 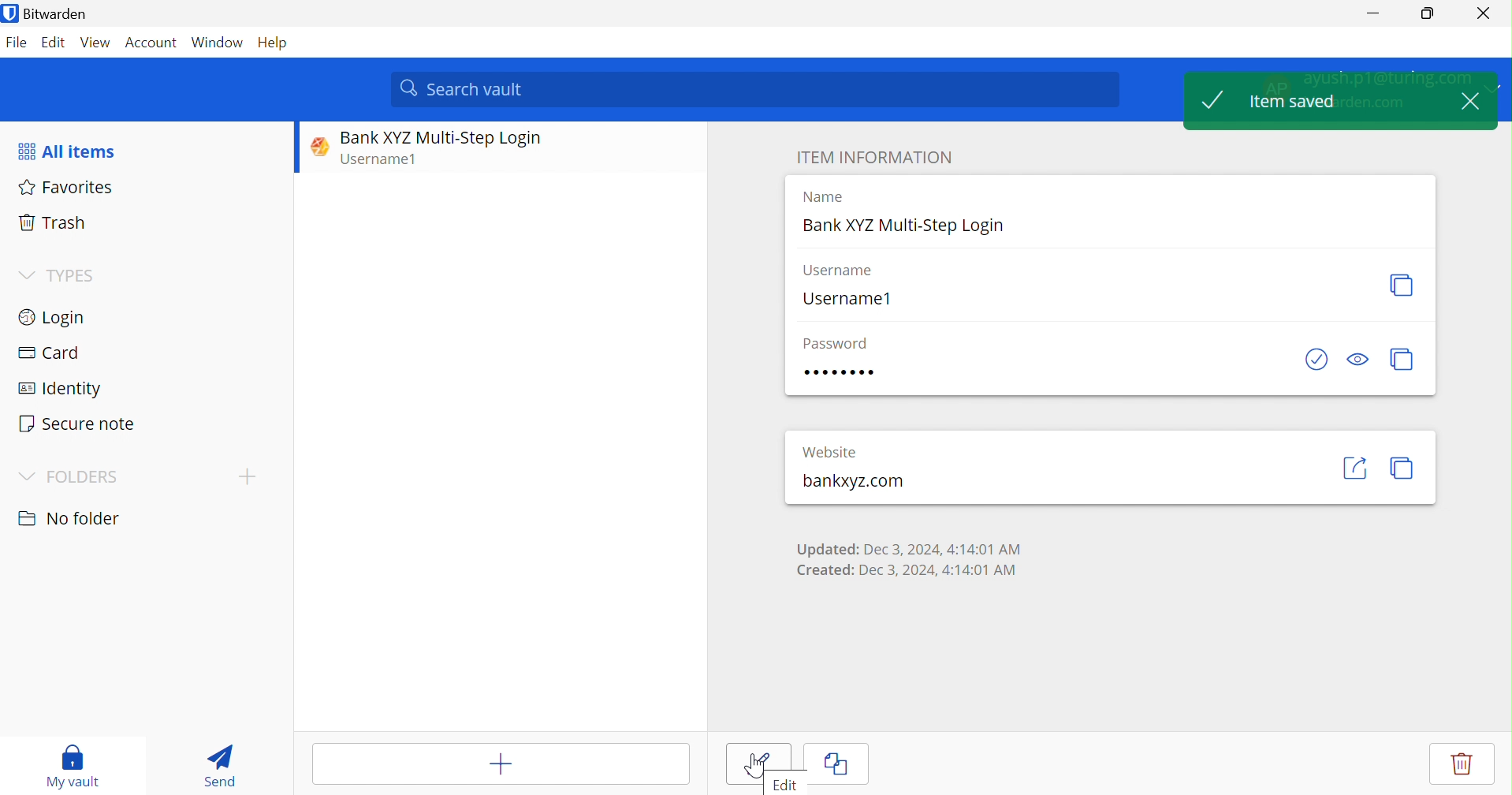 What do you see at coordinates (857, 482) in the screenshot?
I see `bankxyz.com` at bounding box center [857, 482].